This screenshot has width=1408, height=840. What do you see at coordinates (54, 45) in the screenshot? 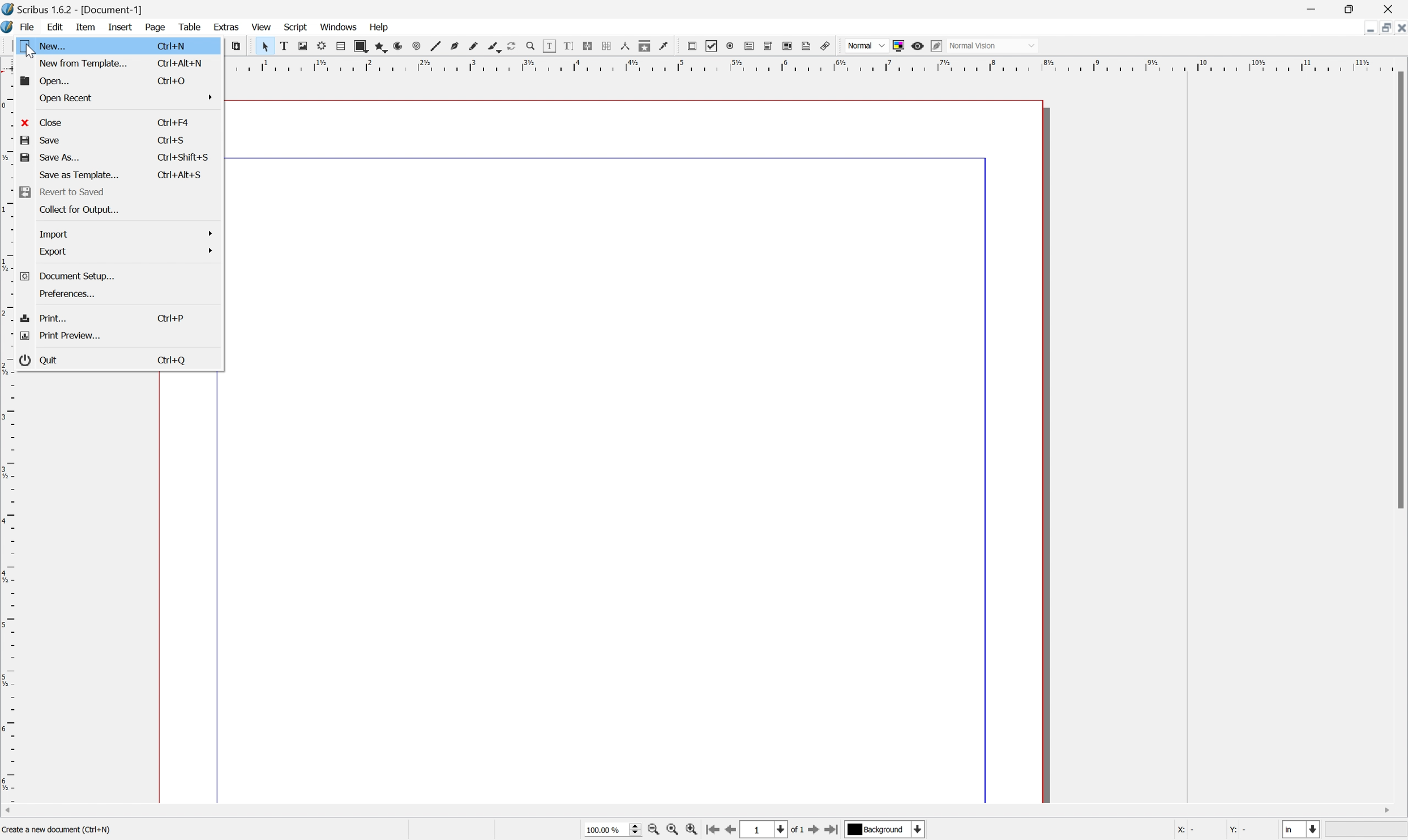
I see `new` at bounding box center [54, 45].